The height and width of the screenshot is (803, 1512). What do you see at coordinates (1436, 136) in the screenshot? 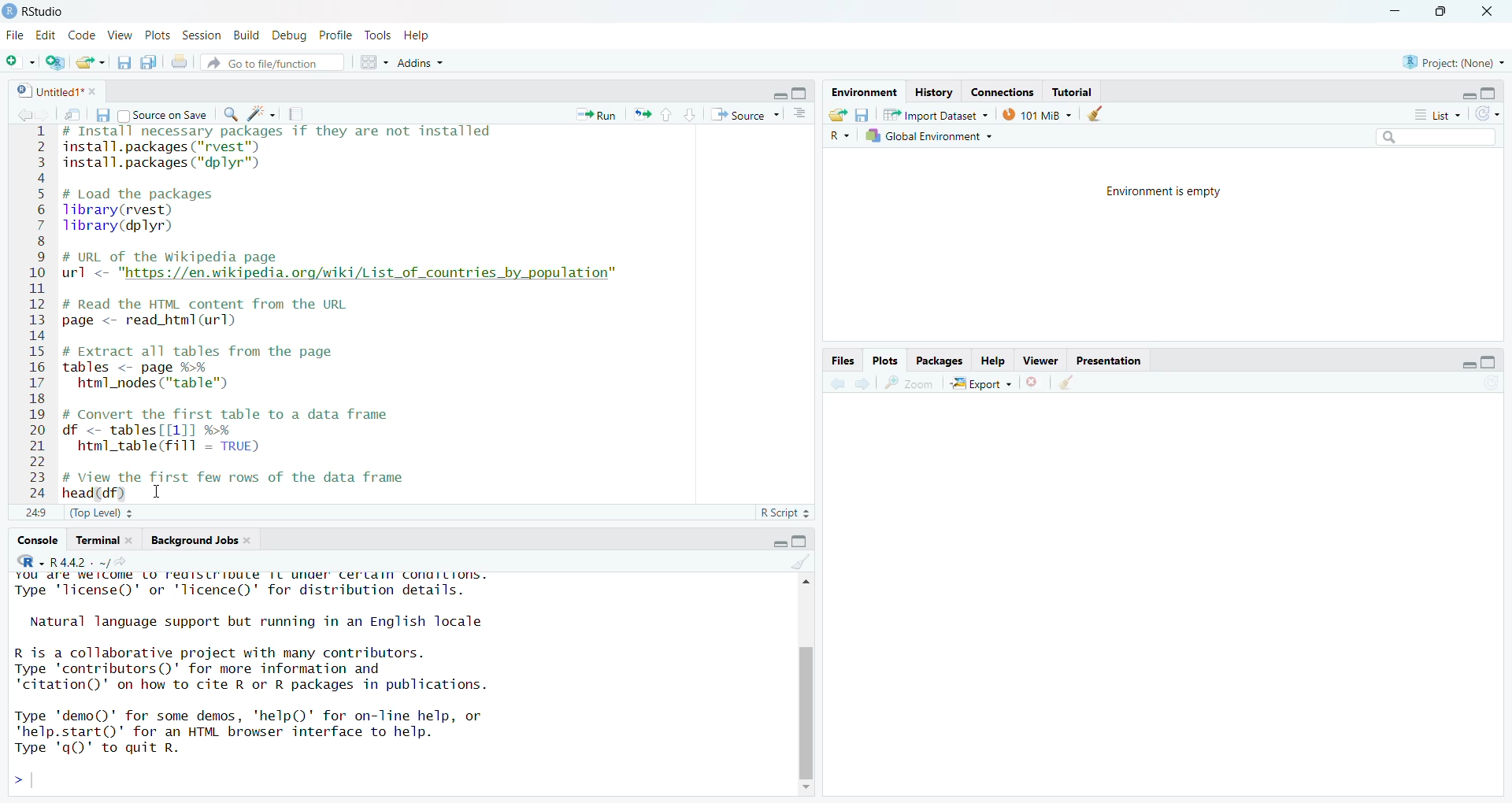
I see `search bar` at bounding box center [1436, 136].